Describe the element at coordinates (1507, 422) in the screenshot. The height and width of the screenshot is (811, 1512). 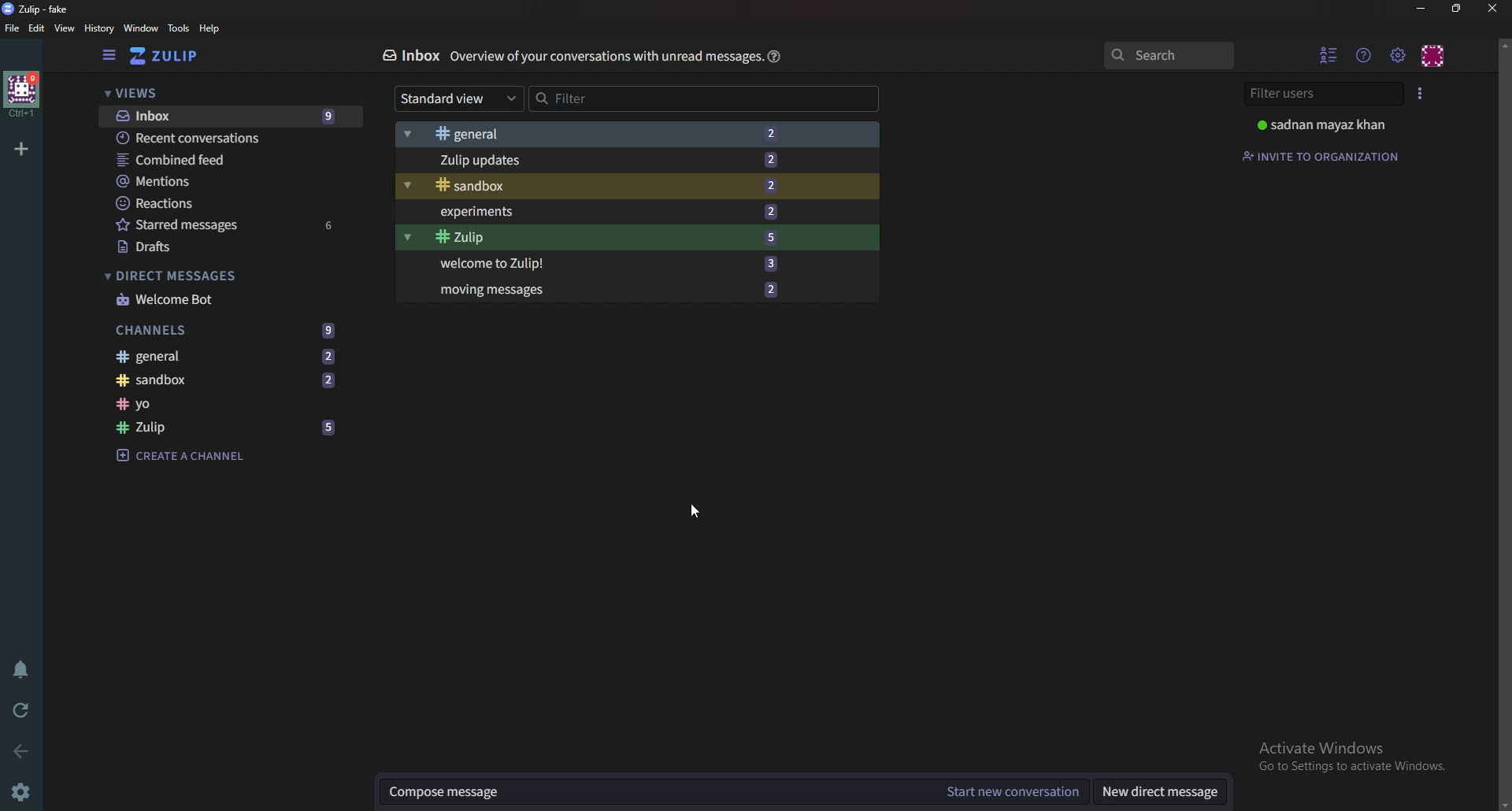
I see `Scroll bar` at that location.